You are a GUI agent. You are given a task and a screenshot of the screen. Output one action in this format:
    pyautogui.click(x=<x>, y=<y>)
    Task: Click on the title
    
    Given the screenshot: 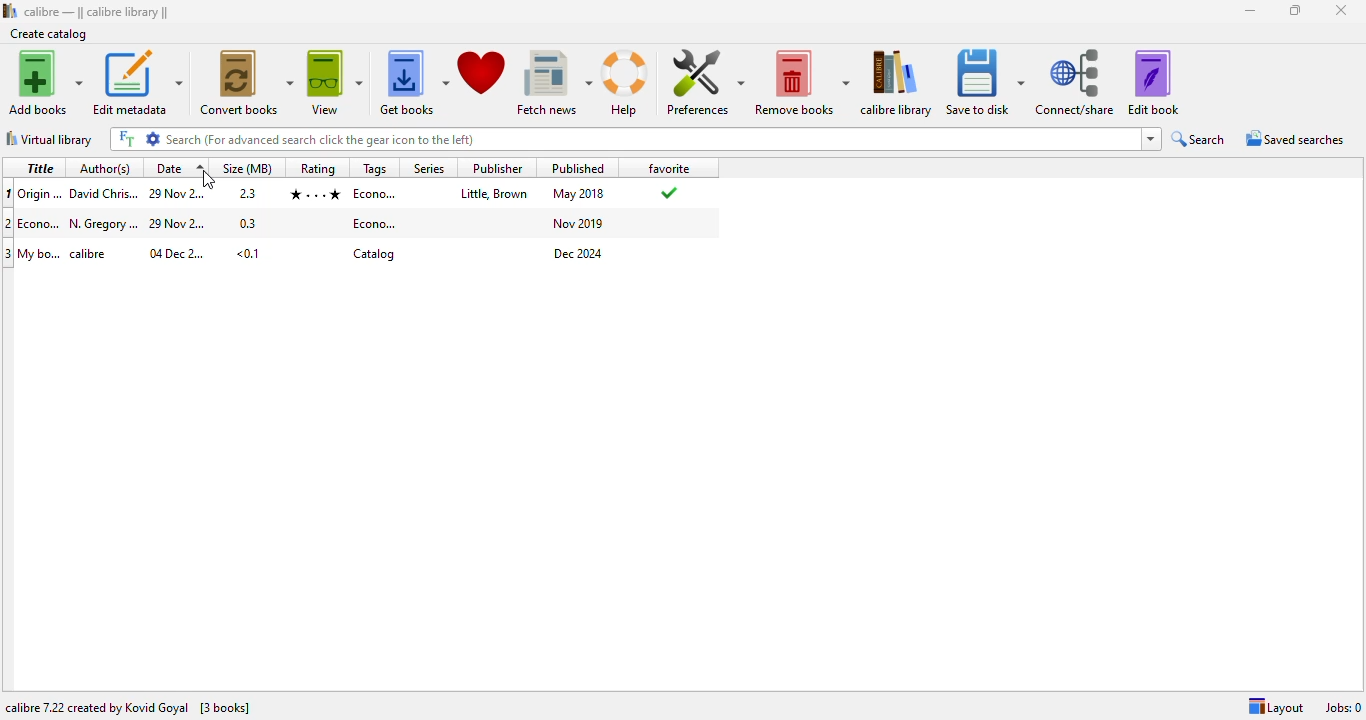 What is the action you would take?
    pyautogui.click(x=40, y=253)
    